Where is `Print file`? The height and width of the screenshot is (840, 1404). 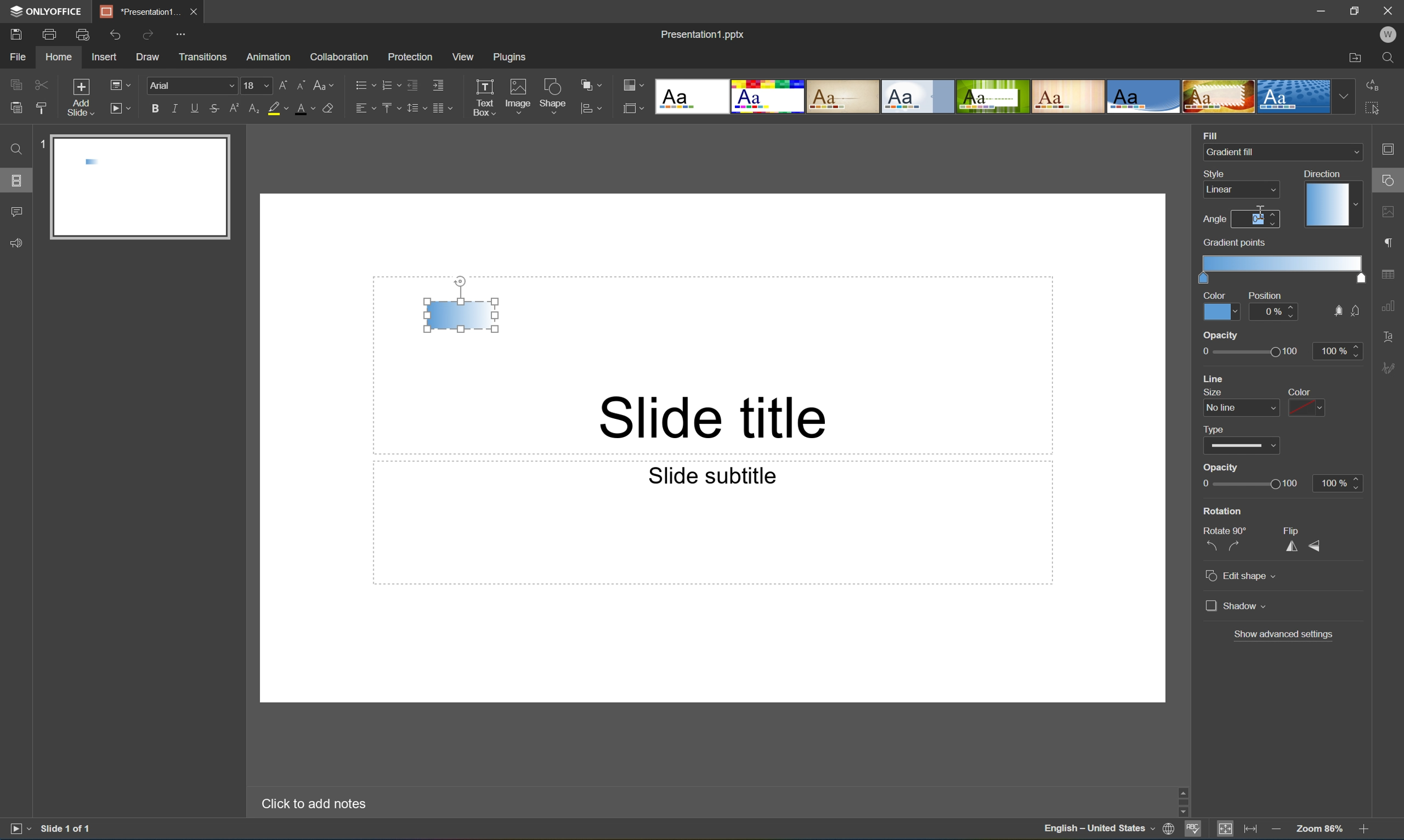 Print file is located at coordinates (50, 35).